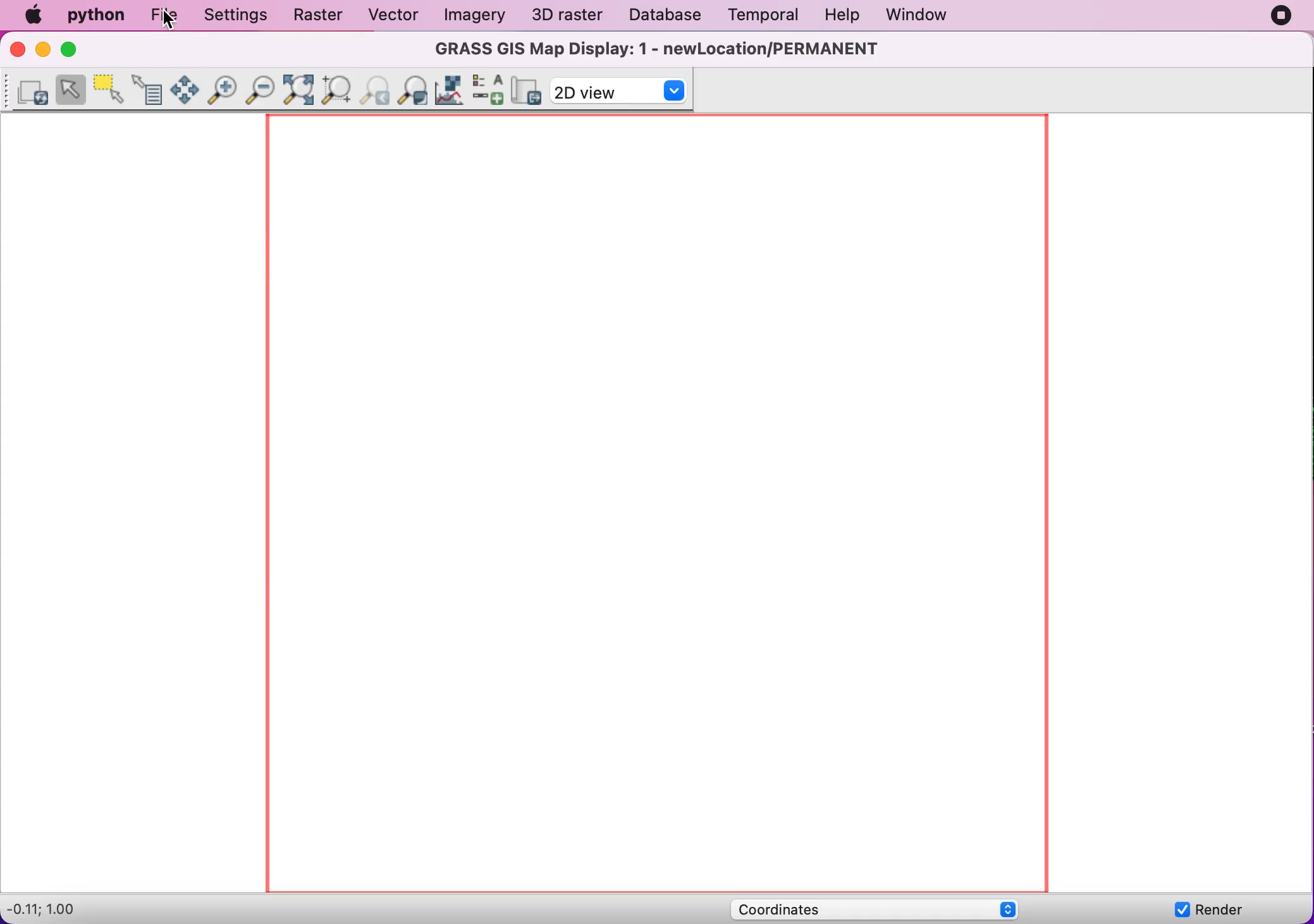  What do you see at coordinates (892, 907) in the screenshot?
I see `coordinates` at bounding box center [892, 907].